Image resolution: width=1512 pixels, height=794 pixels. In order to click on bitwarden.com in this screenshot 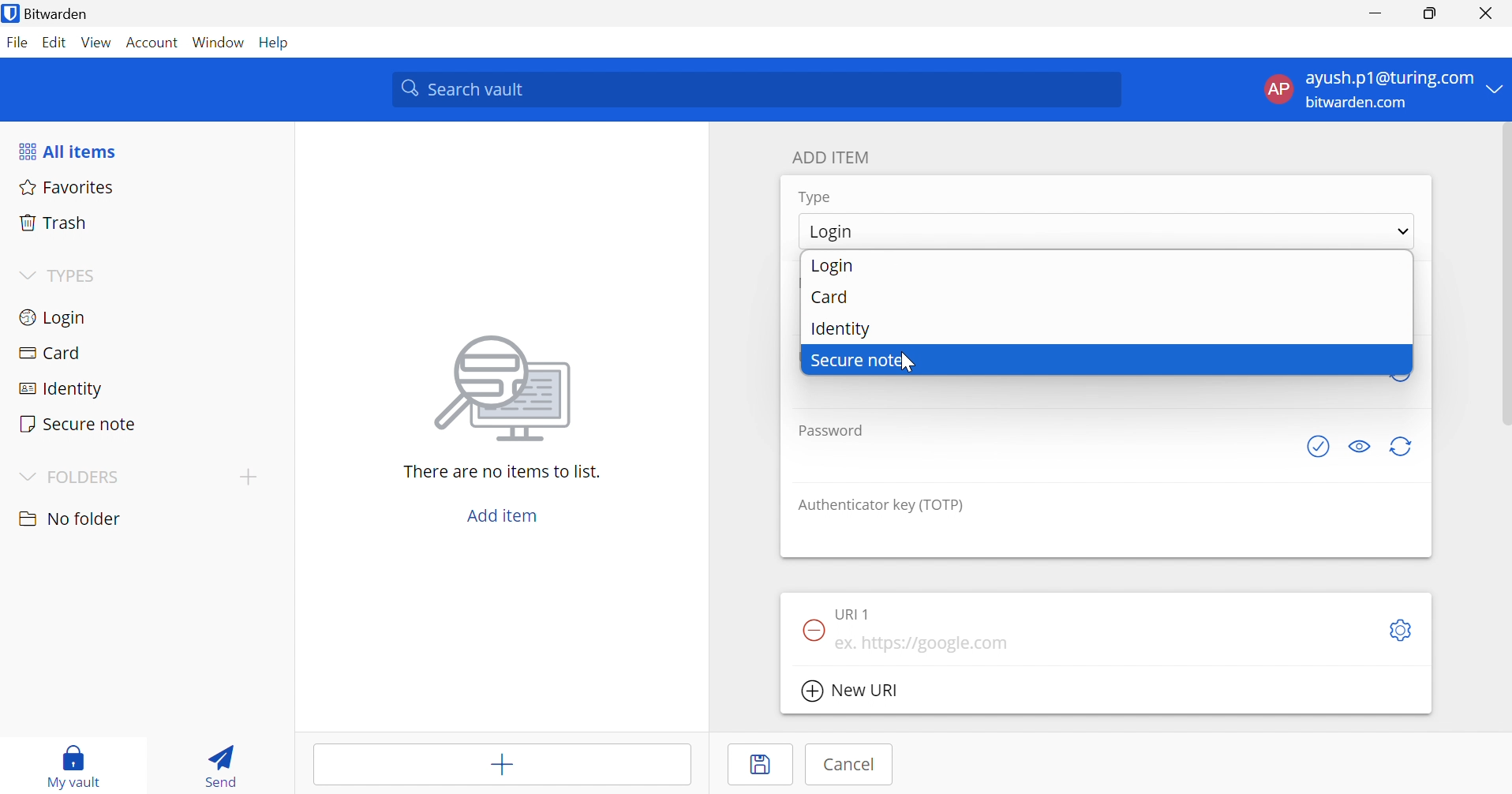, I will do `click(1356, 103)`.